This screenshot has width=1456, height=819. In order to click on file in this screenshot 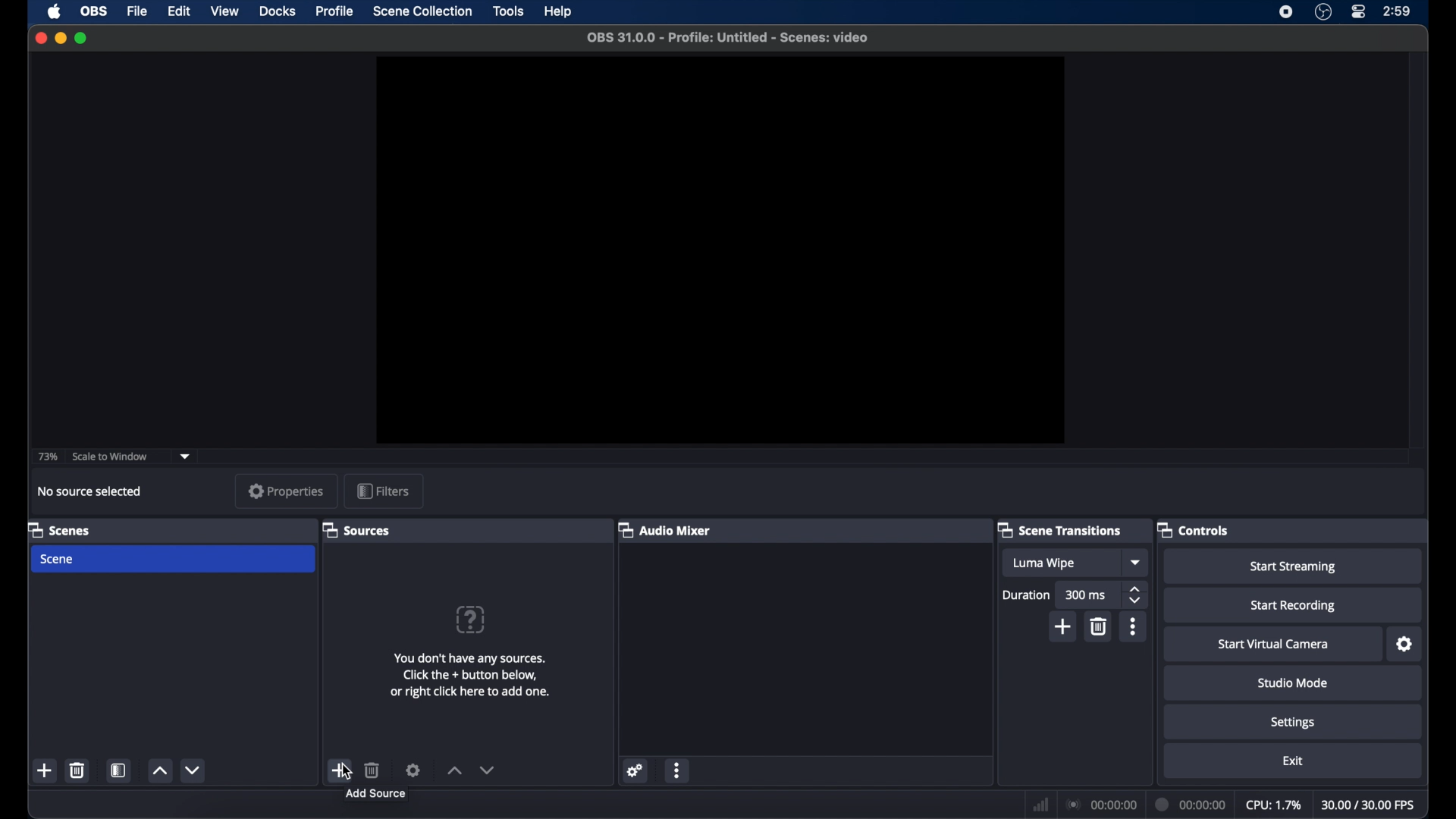, I will do `click(138, 12)`.